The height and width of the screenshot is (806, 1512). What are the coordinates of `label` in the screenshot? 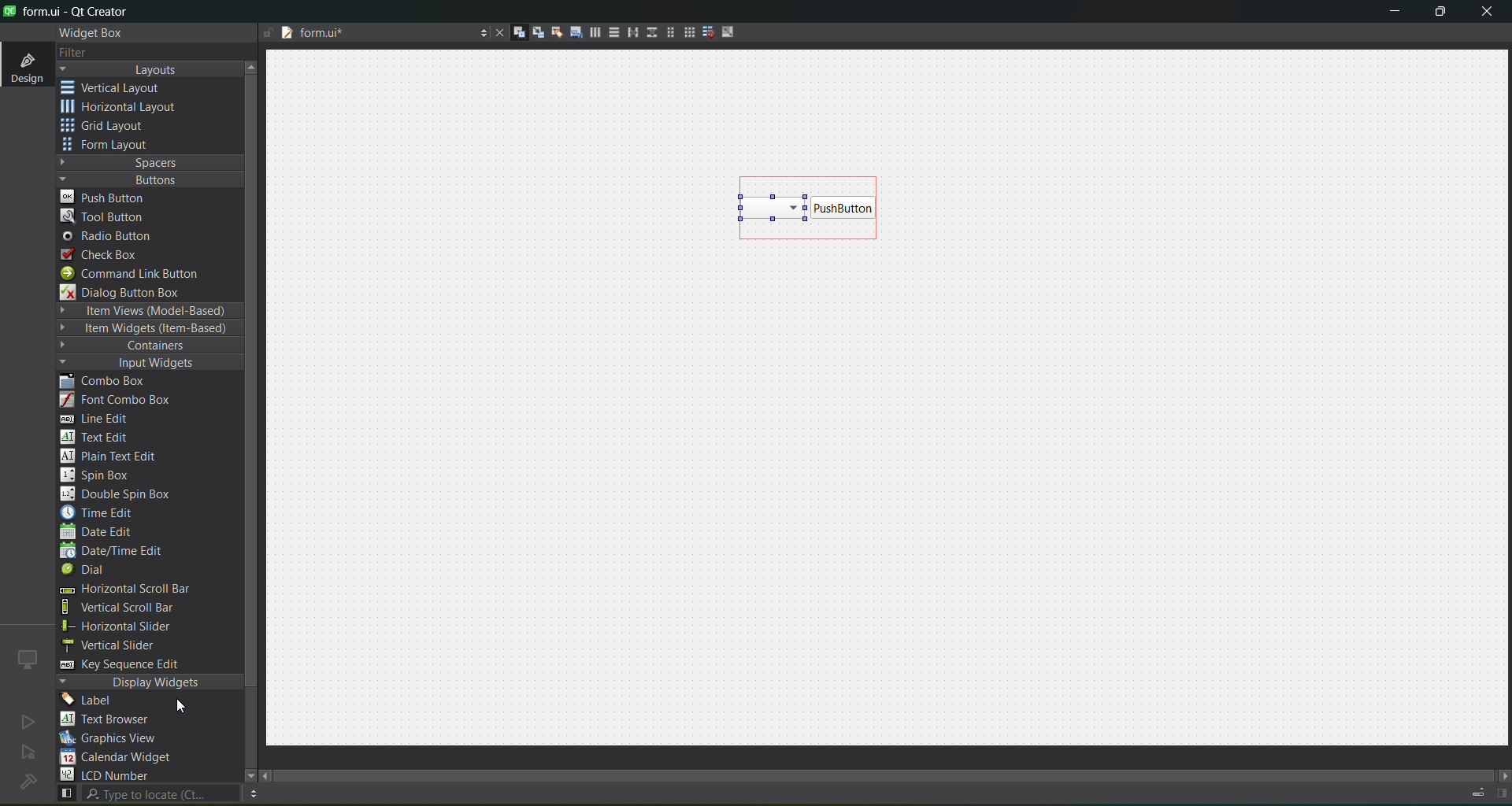 It's located at (91, 701).